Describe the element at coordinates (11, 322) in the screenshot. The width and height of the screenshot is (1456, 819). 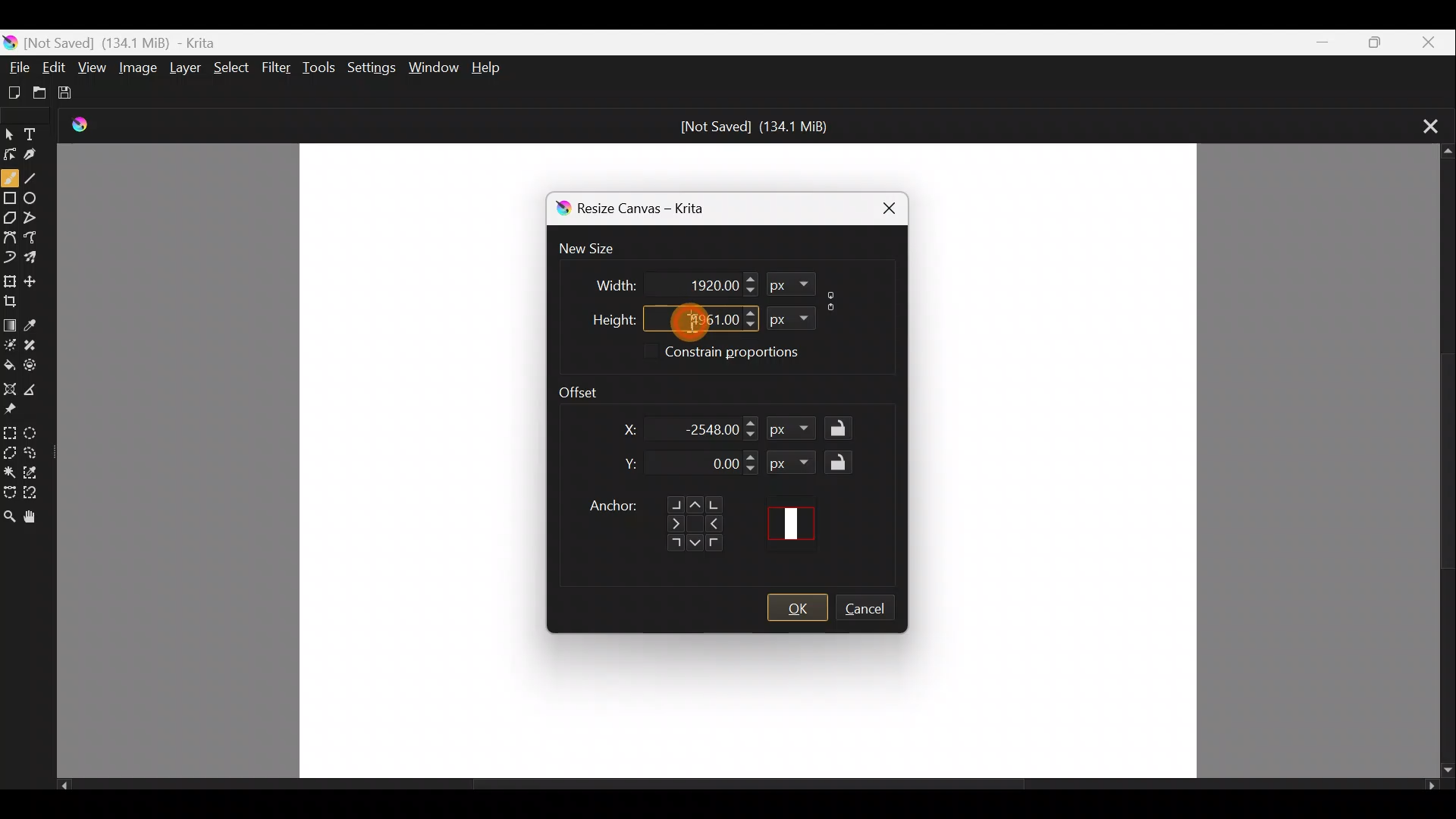
I see `Draw a gradient` at that location.